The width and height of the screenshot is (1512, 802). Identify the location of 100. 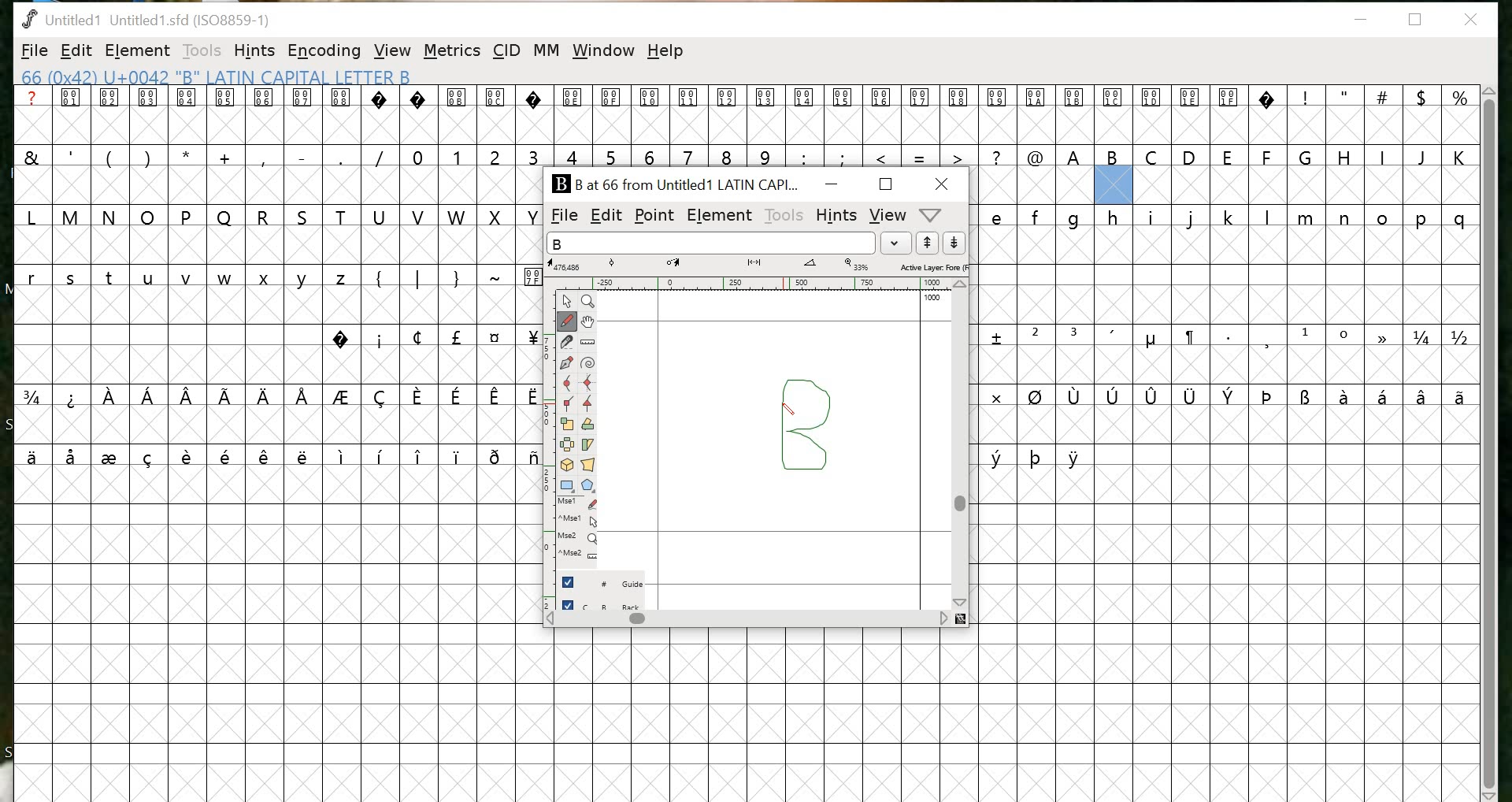
(932, 301).